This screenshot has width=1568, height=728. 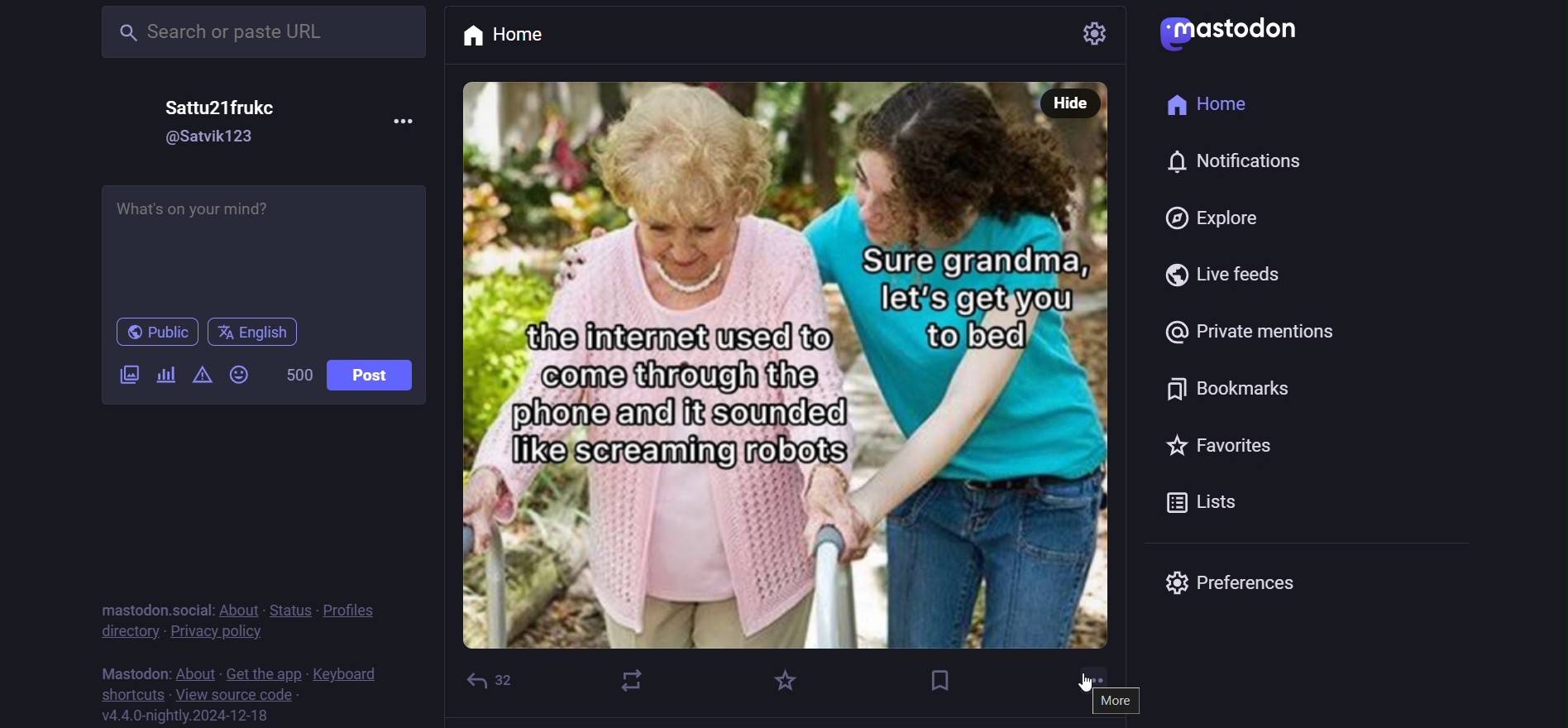 What do you see at coordinates (165, 376) in the screenshot?
I see `poll` at bounding box center [165, 376].